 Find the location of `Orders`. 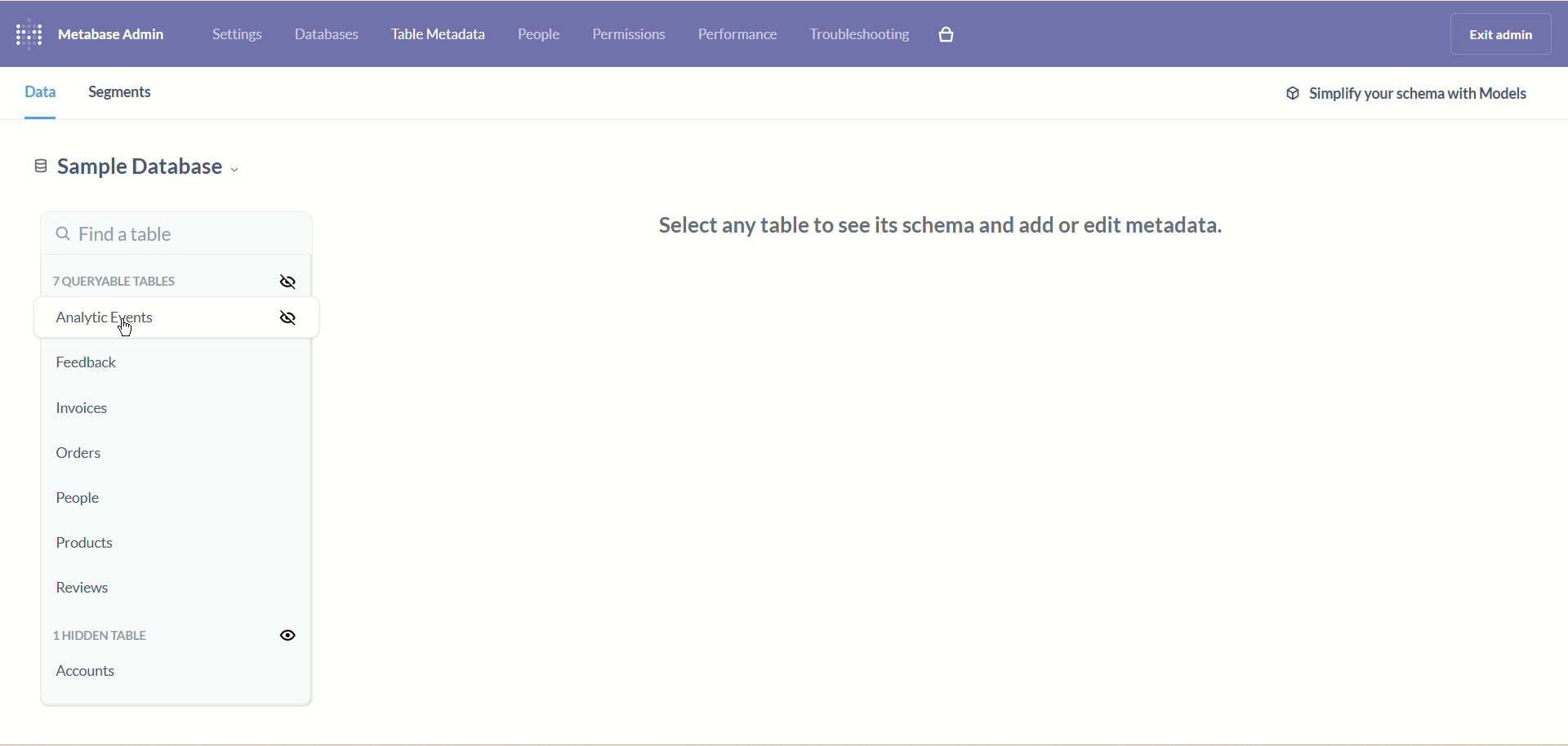

Orders is located at coordinates (78, 452).